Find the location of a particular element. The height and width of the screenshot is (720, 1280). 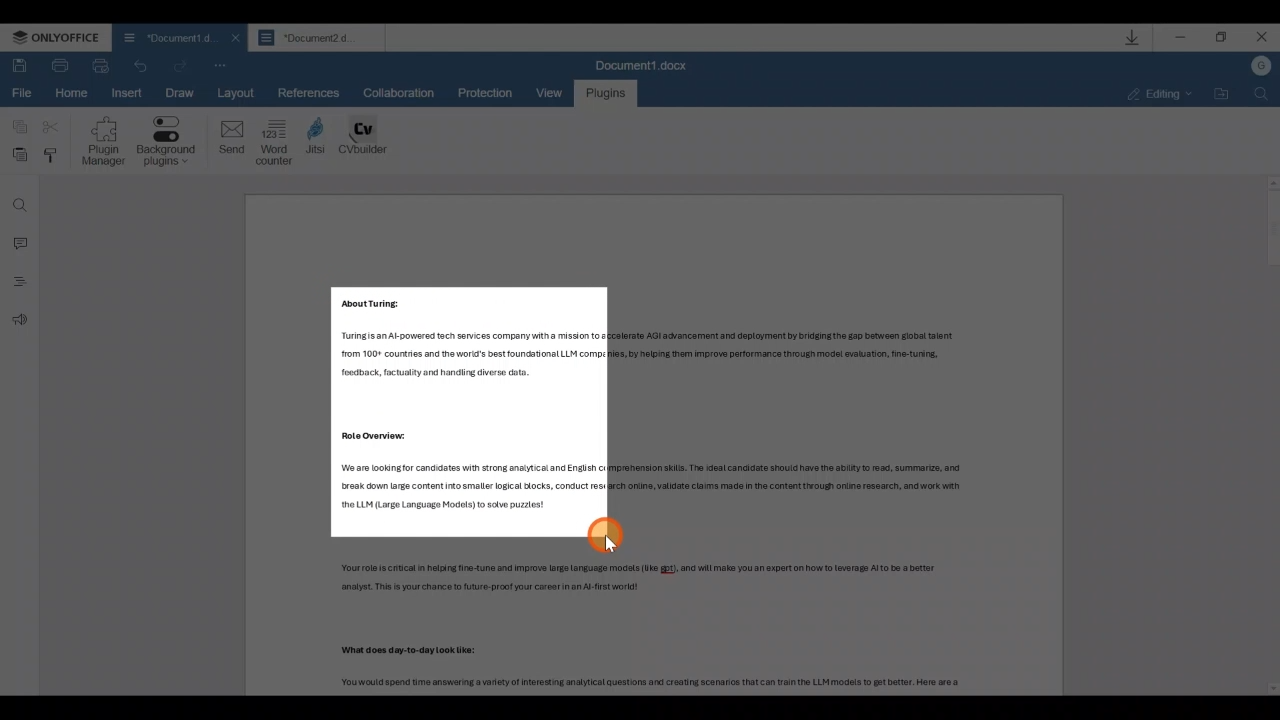

Copy style is located at coordinates (54, 157).